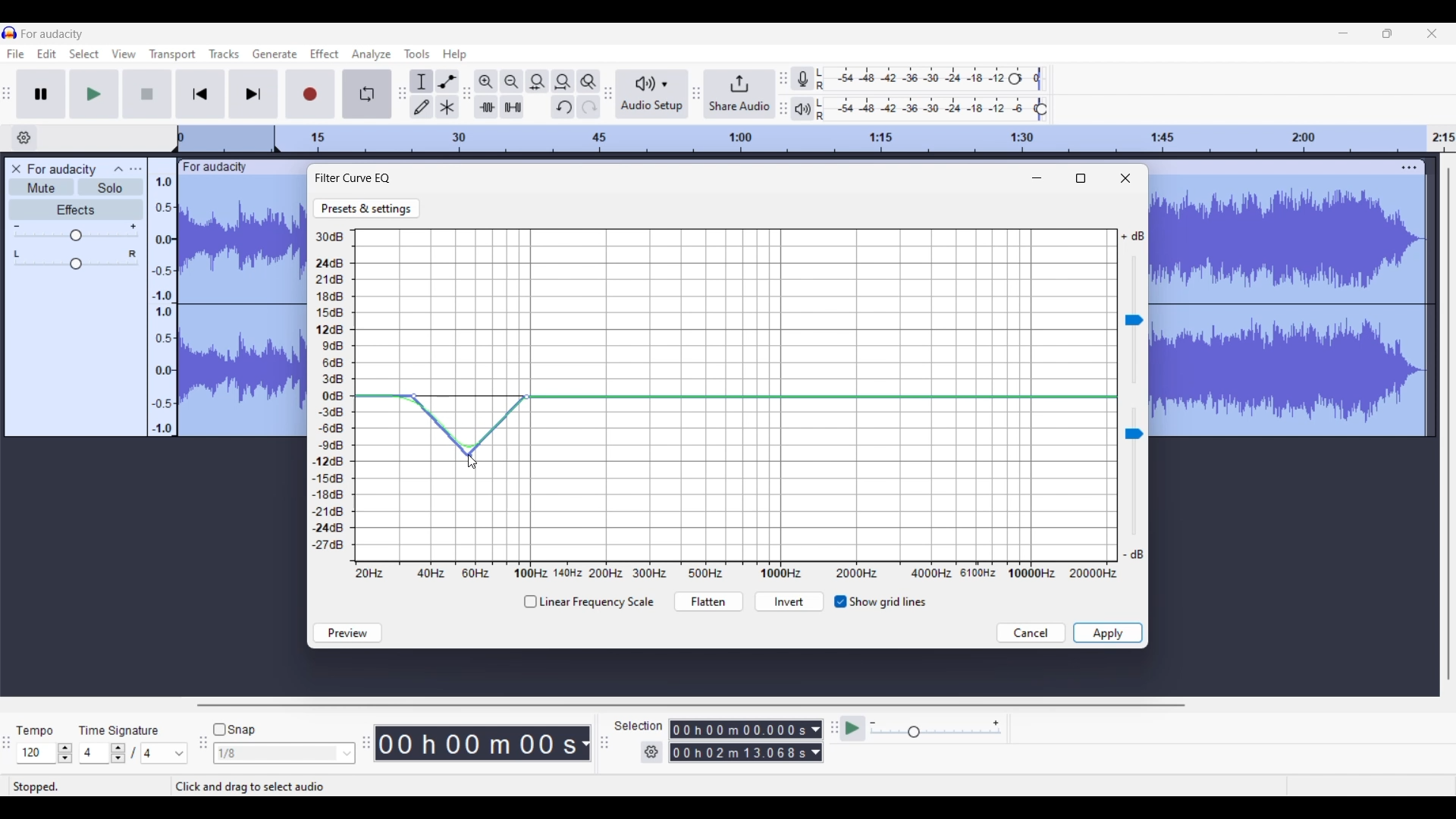  I want to click on Change pan, so click(76, 265).